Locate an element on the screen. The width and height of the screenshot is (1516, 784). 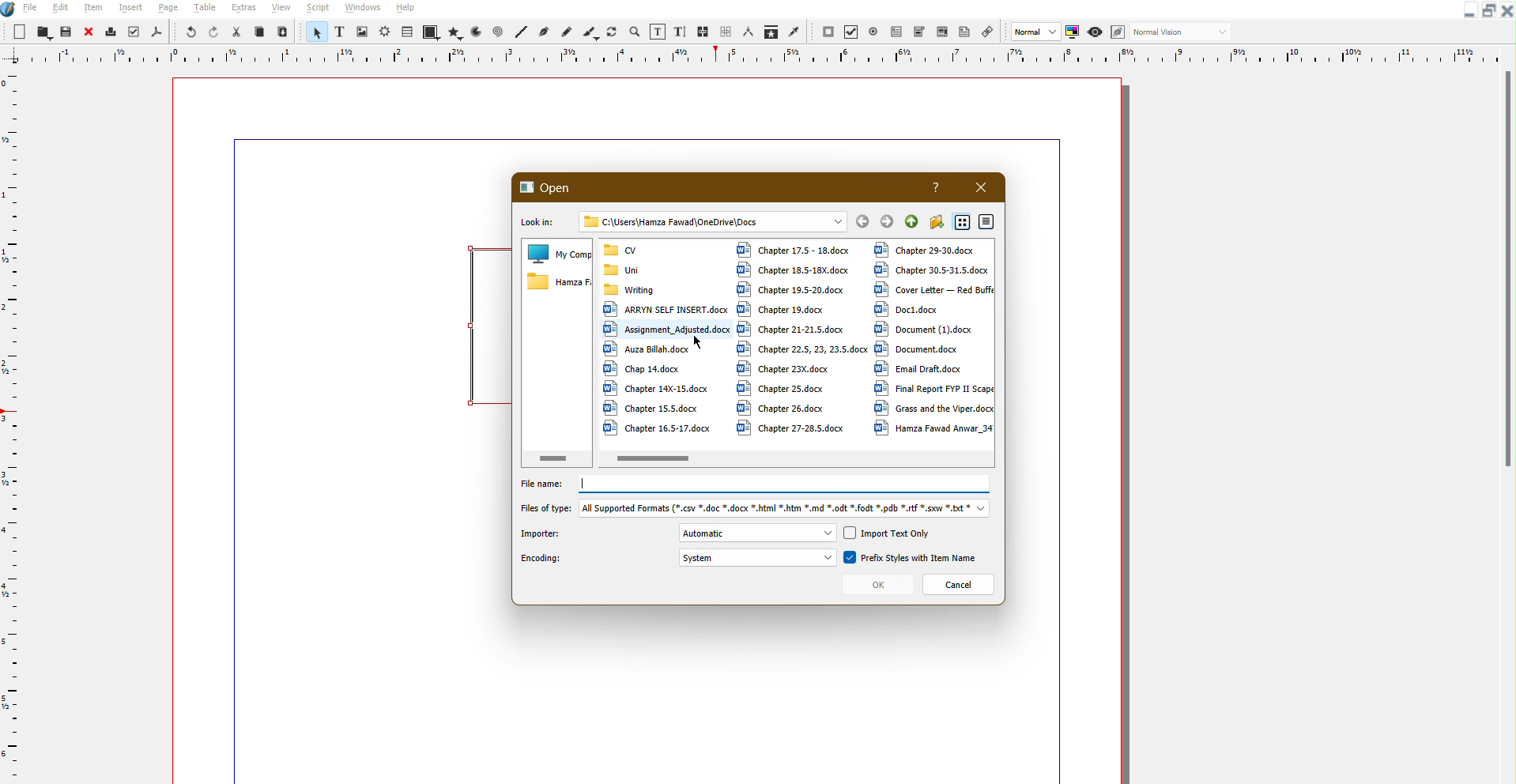
Check is located at coordinates (133, 32).